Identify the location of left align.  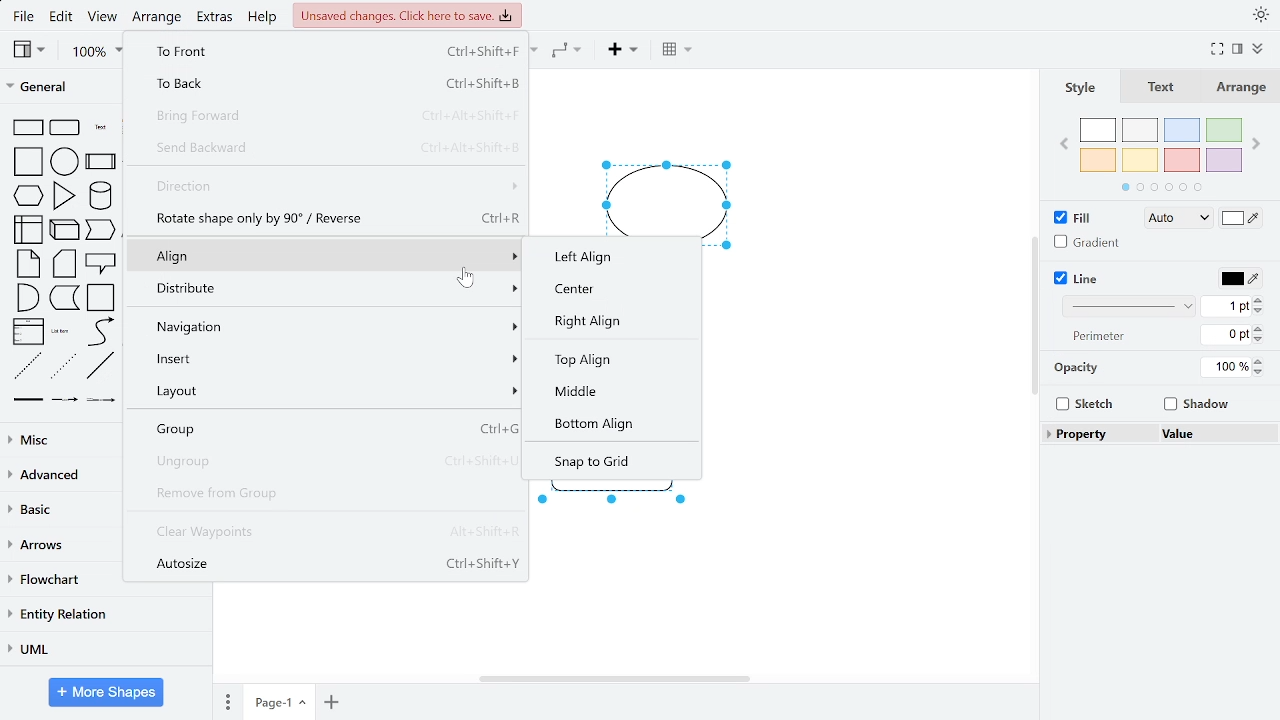
(622, 256).